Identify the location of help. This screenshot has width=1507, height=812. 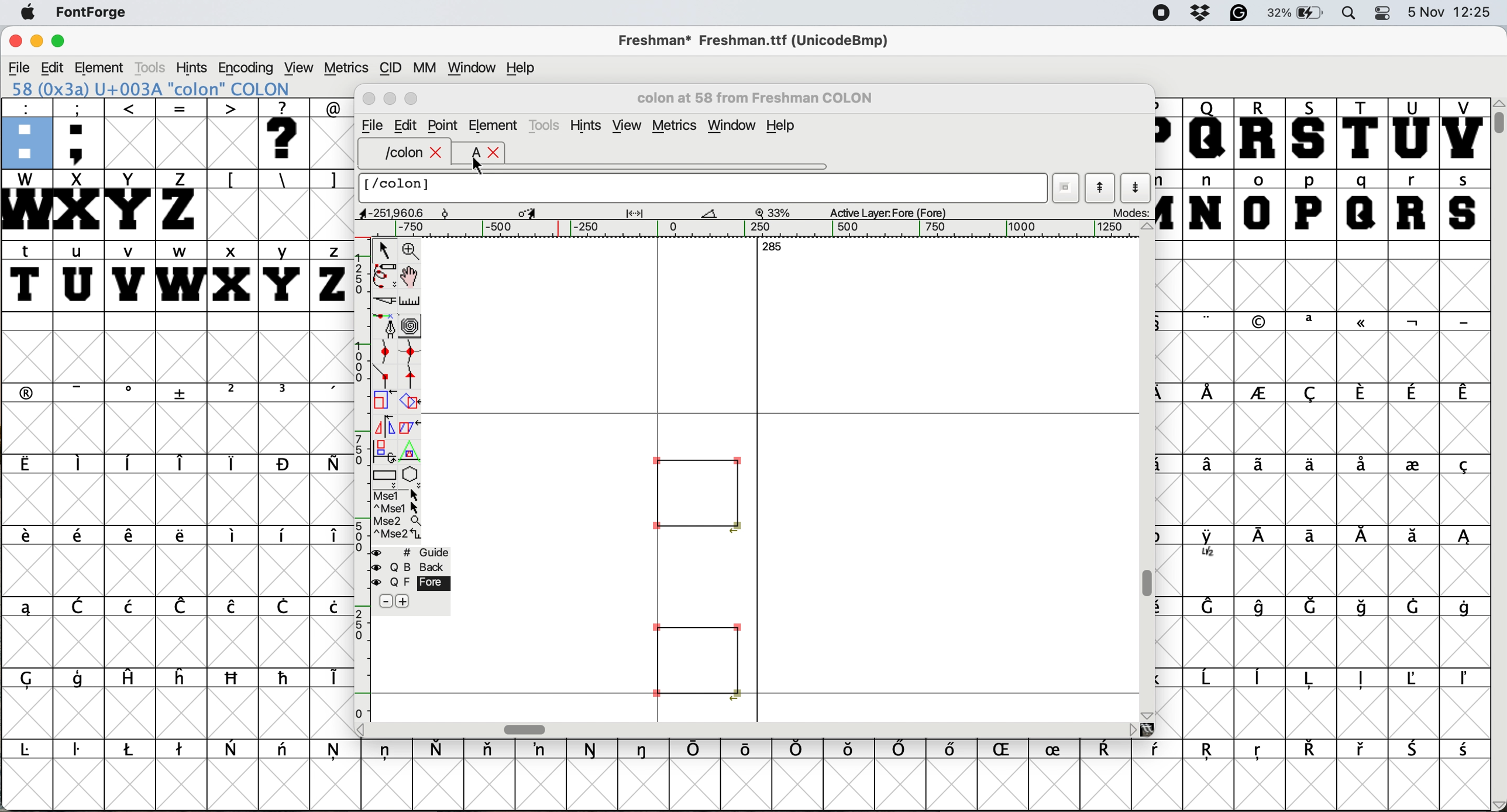
(527, 68).